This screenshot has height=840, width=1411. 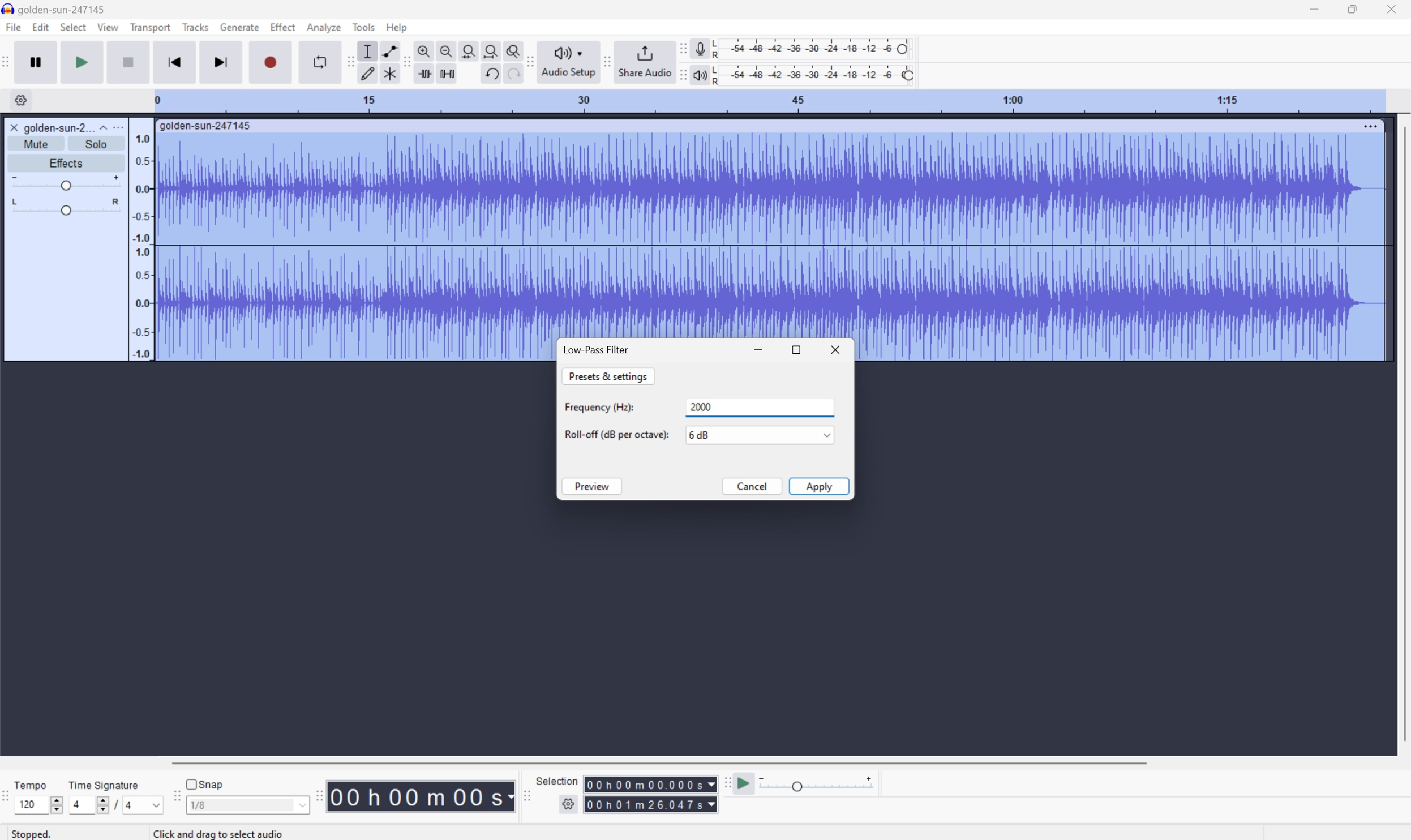 What do you see at coordinates (745, 784) in the screenshot?
I see `Play at speed` at bounding box center [745, 784].